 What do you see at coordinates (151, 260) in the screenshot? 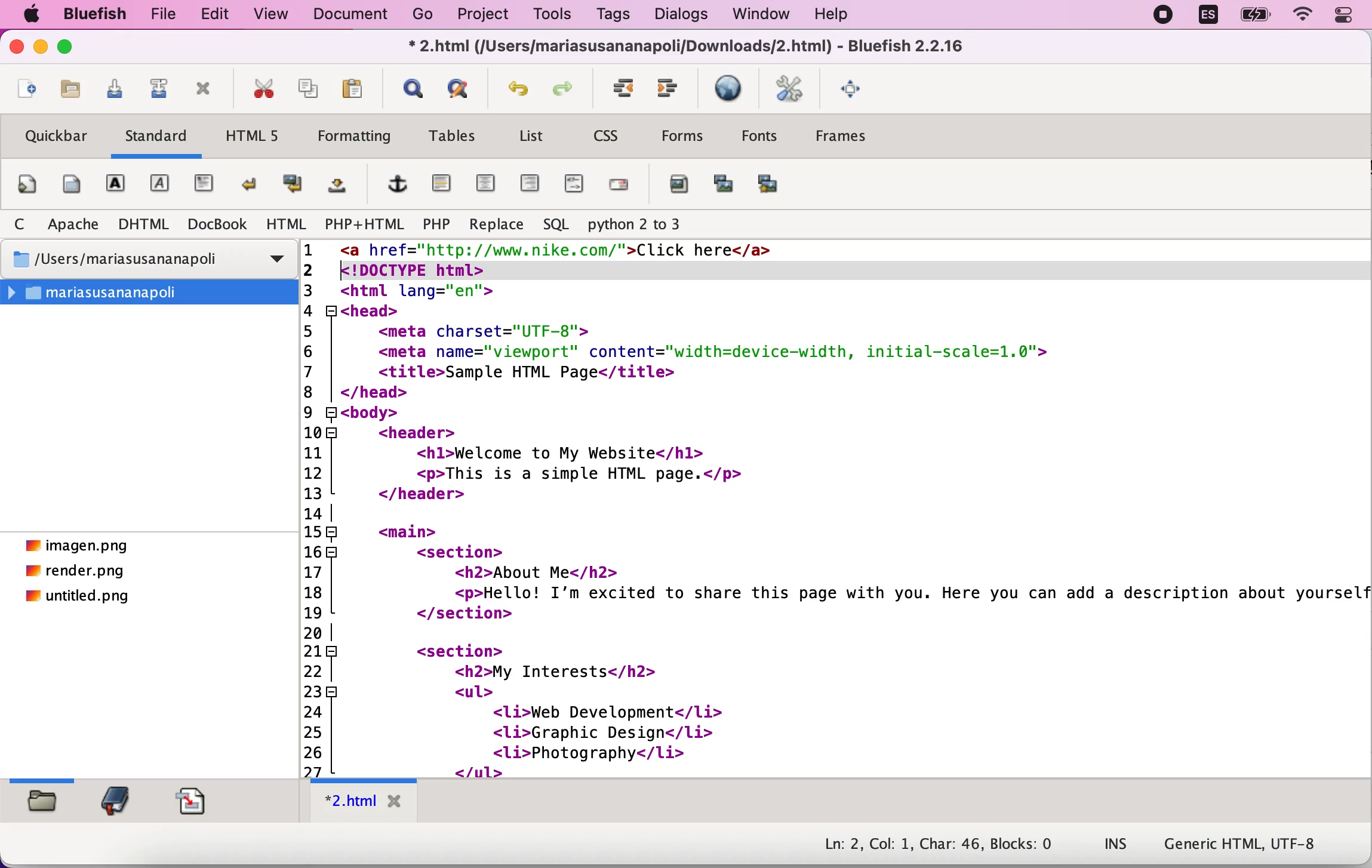
I see `/Users/mariasusananapoli` at bounding box center [151, 260].